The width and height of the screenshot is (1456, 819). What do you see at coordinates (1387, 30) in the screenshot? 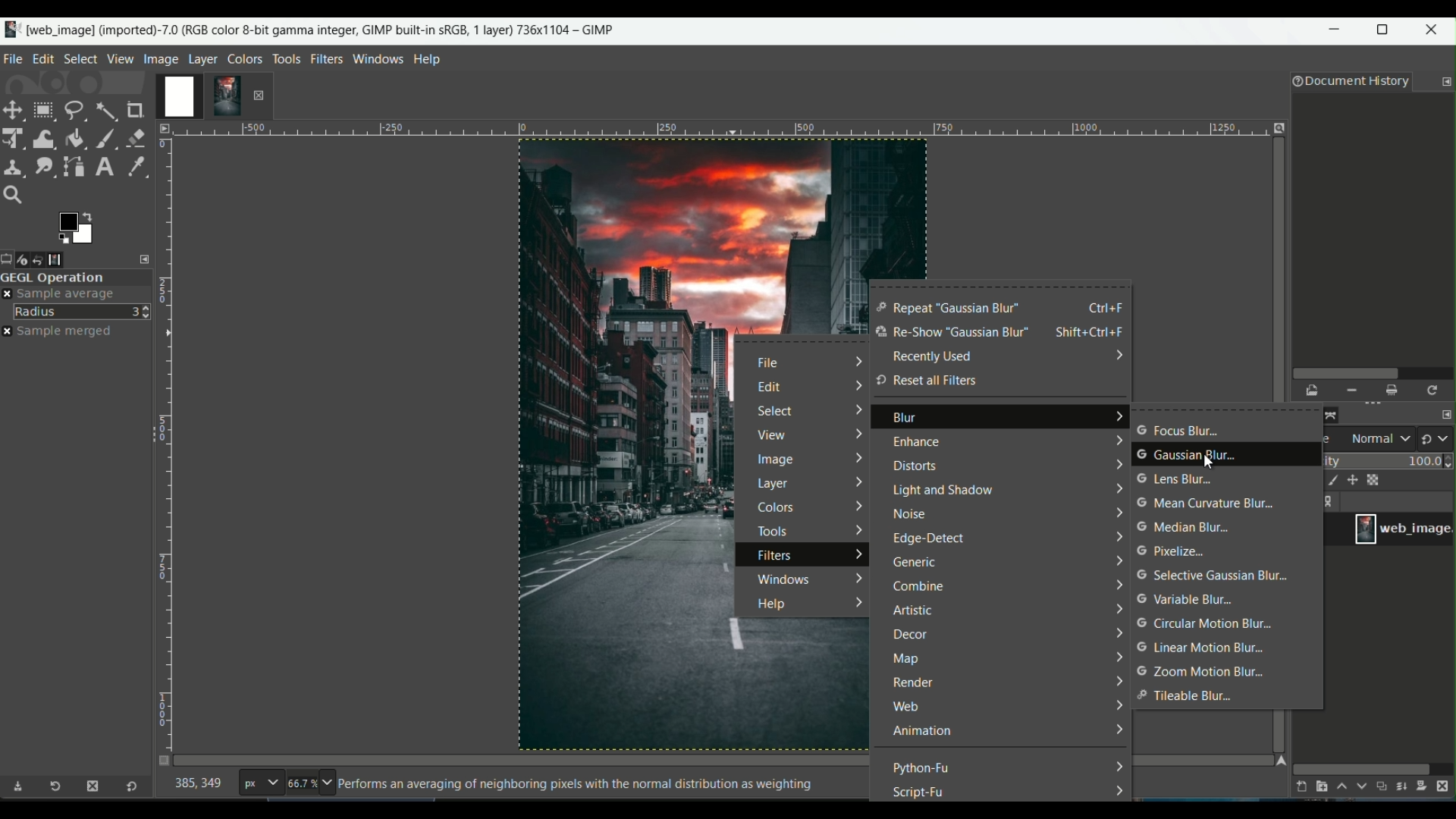
I see `maximize or restore` at bounding box center [1387, 30].